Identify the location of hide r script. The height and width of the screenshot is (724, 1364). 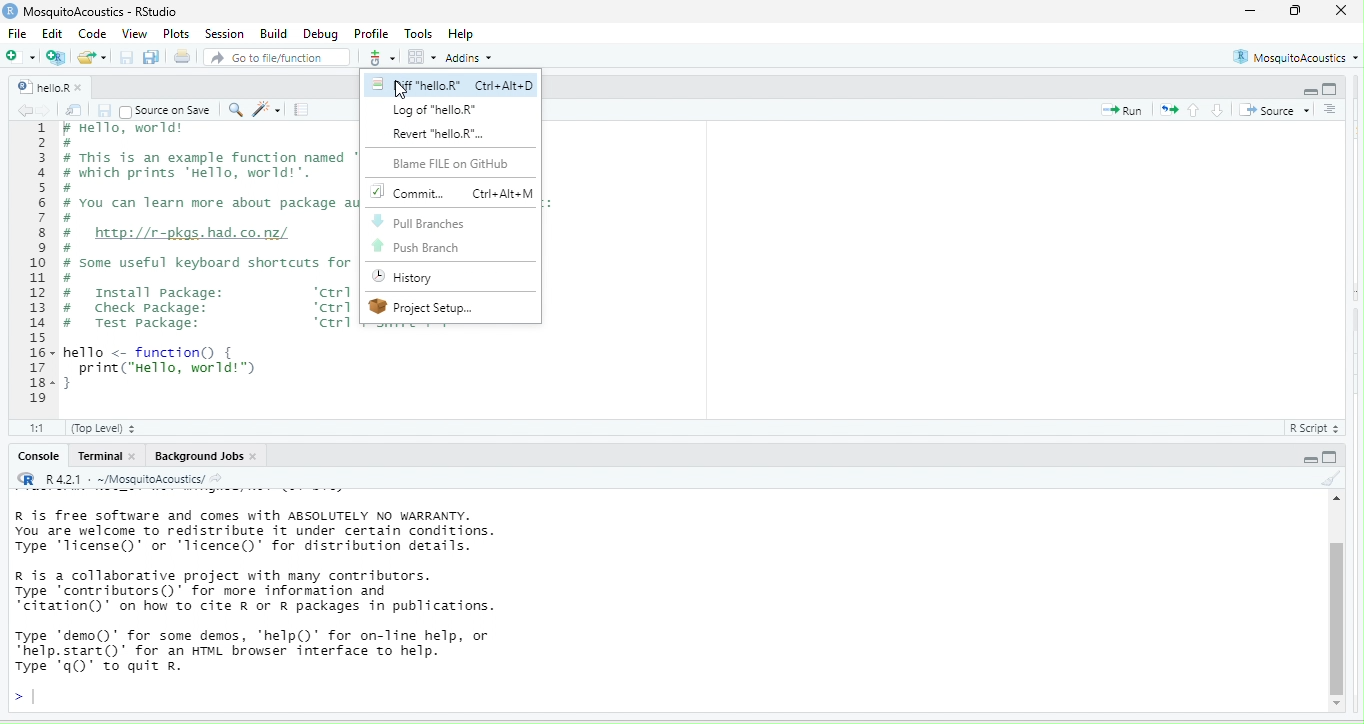
(1308, 90).